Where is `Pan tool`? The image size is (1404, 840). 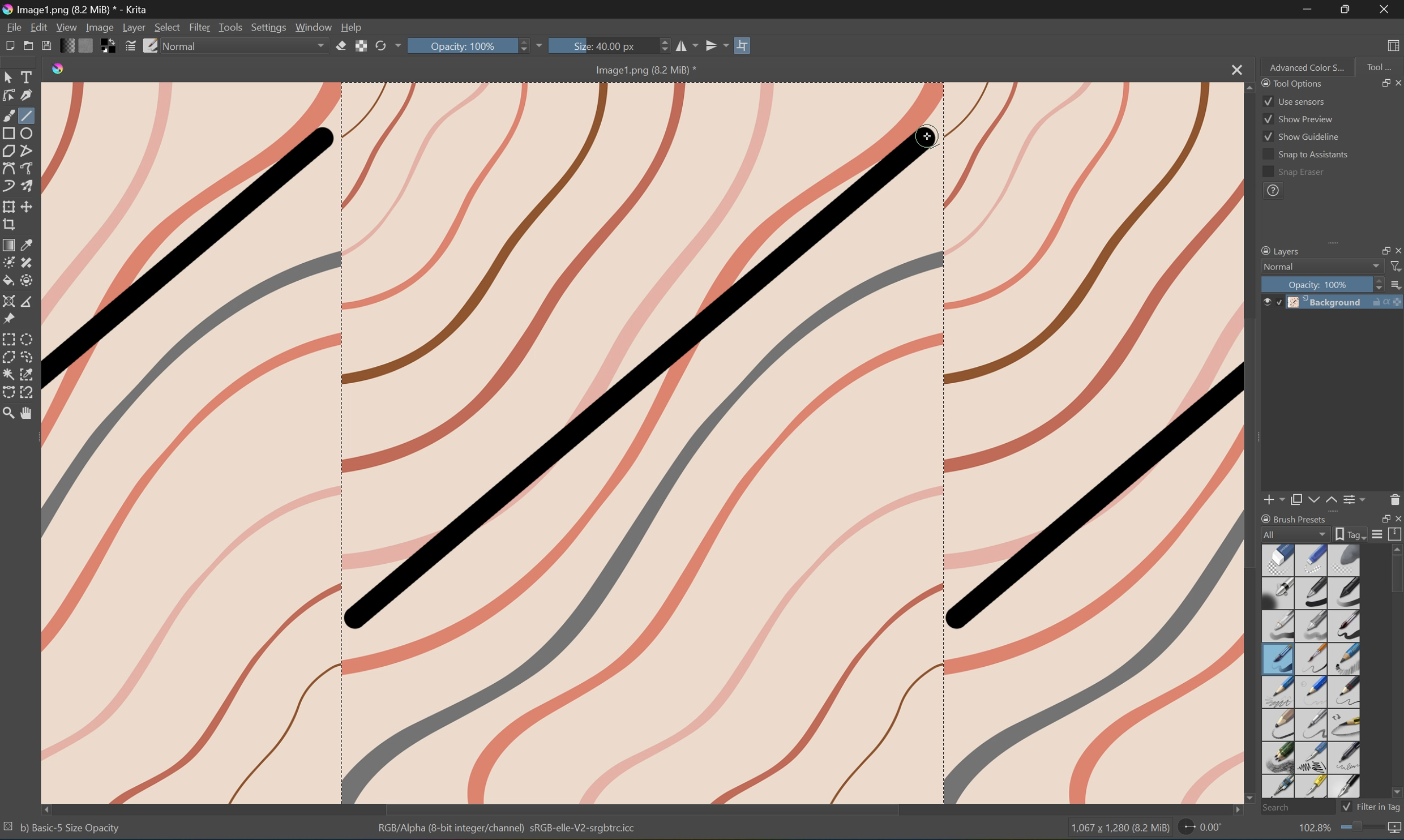
Pan tool is located at coordinates (28, 415).